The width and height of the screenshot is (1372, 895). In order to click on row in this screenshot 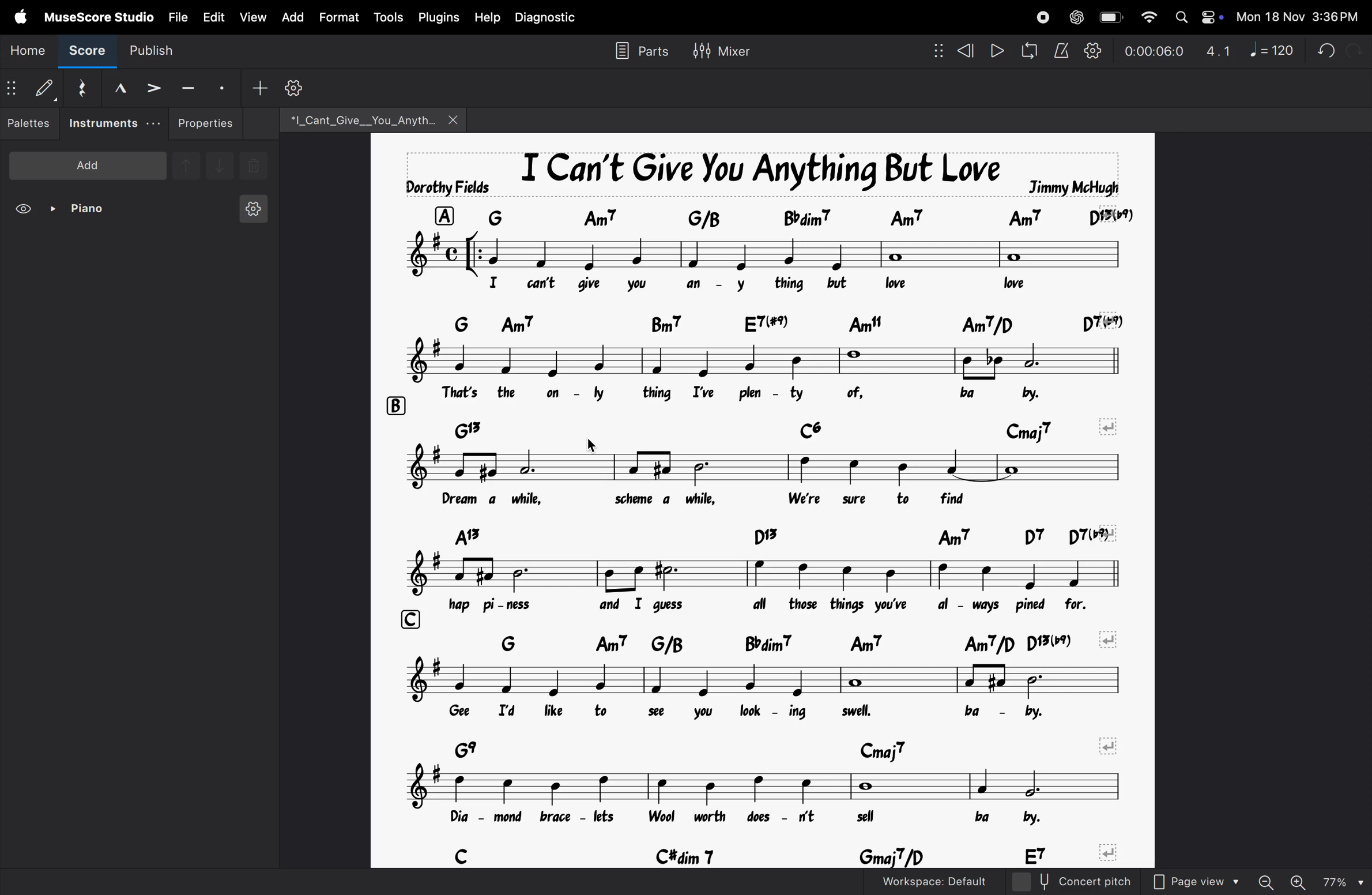, I will do `click(413, 623)`.